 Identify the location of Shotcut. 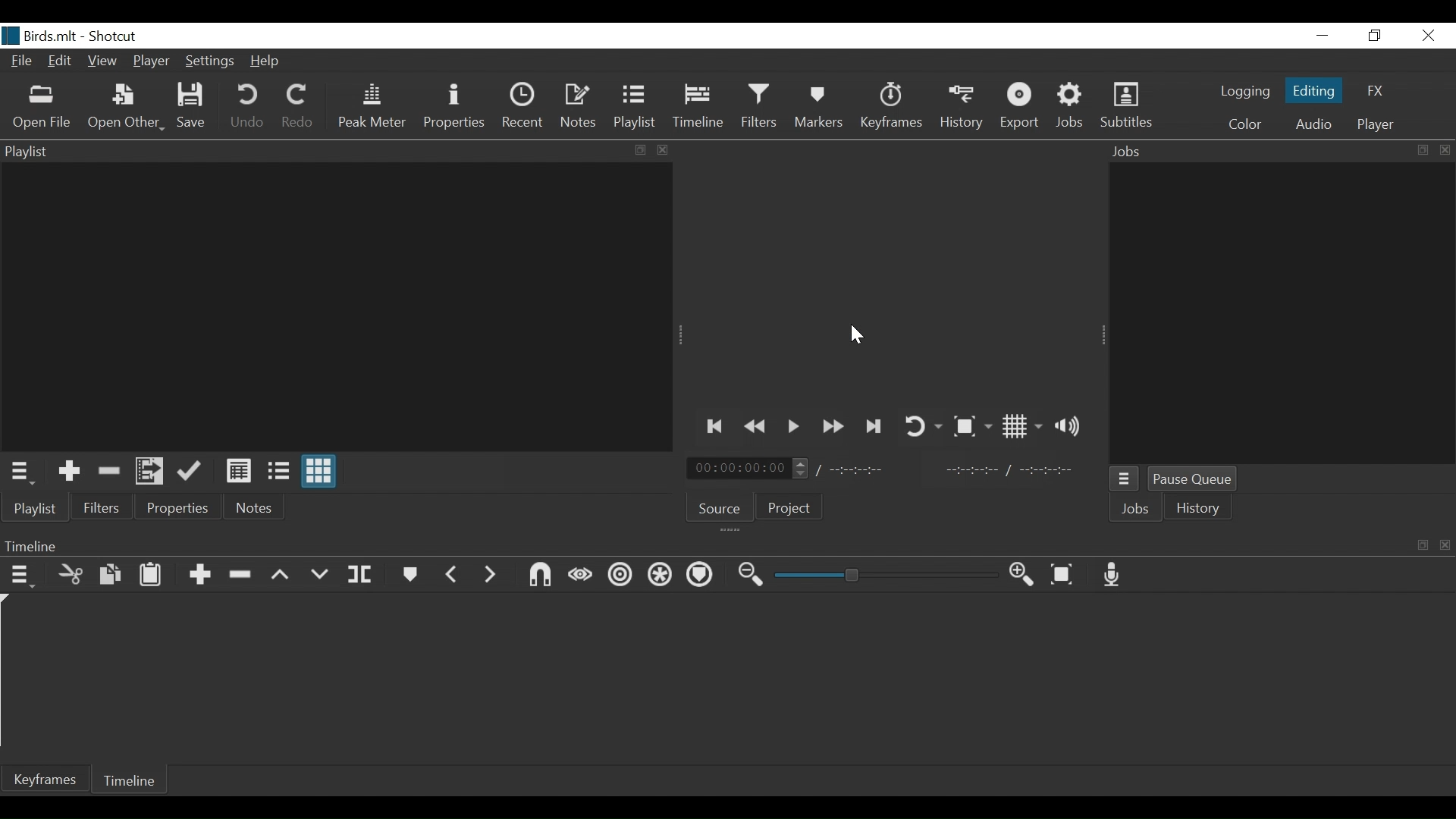
(110, 35).